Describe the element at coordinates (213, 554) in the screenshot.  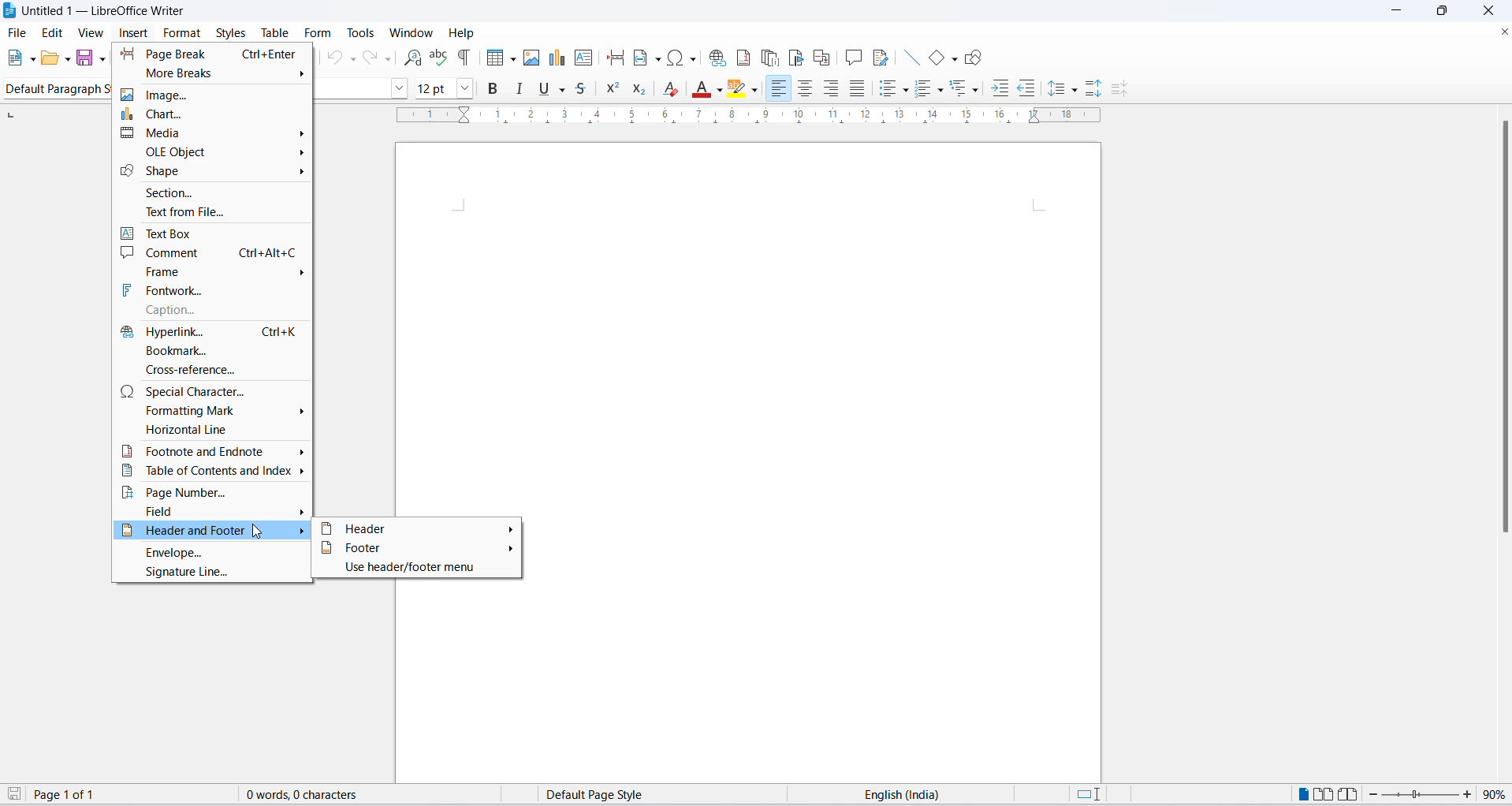
I see `envelope` at that location.